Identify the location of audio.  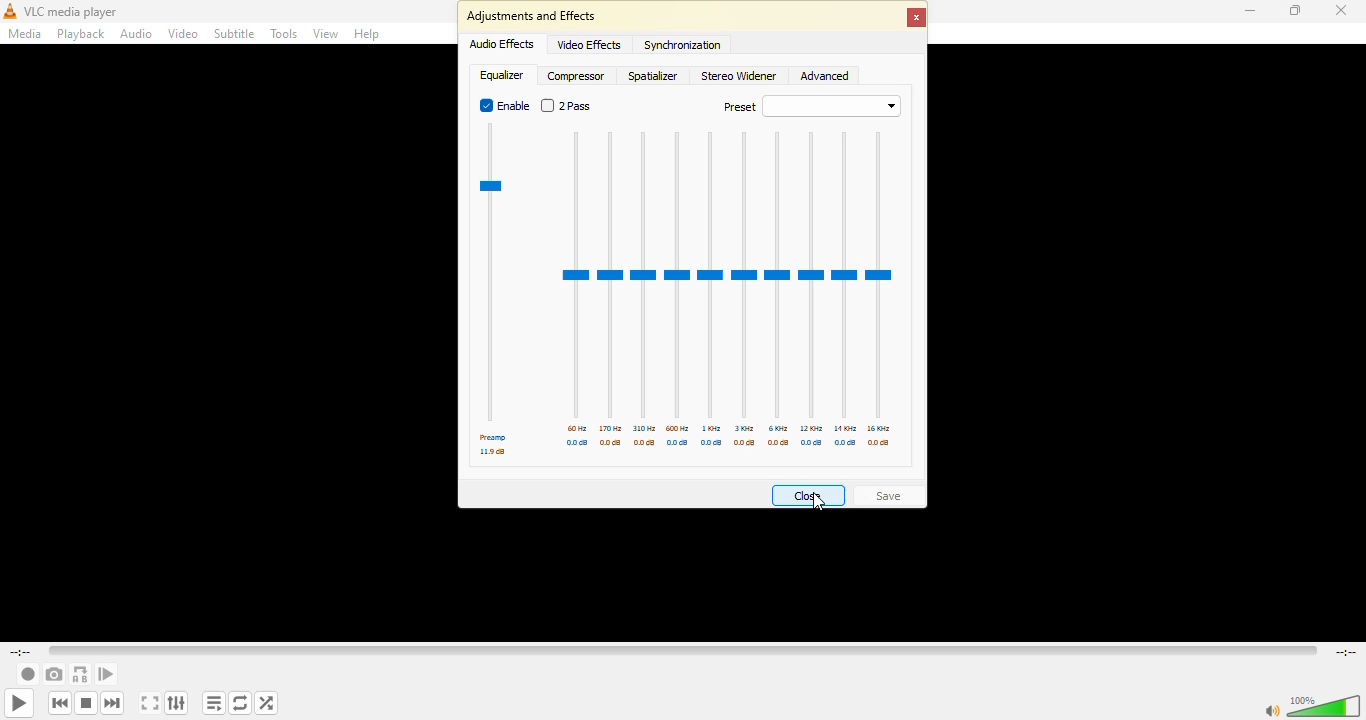
(136, 36).